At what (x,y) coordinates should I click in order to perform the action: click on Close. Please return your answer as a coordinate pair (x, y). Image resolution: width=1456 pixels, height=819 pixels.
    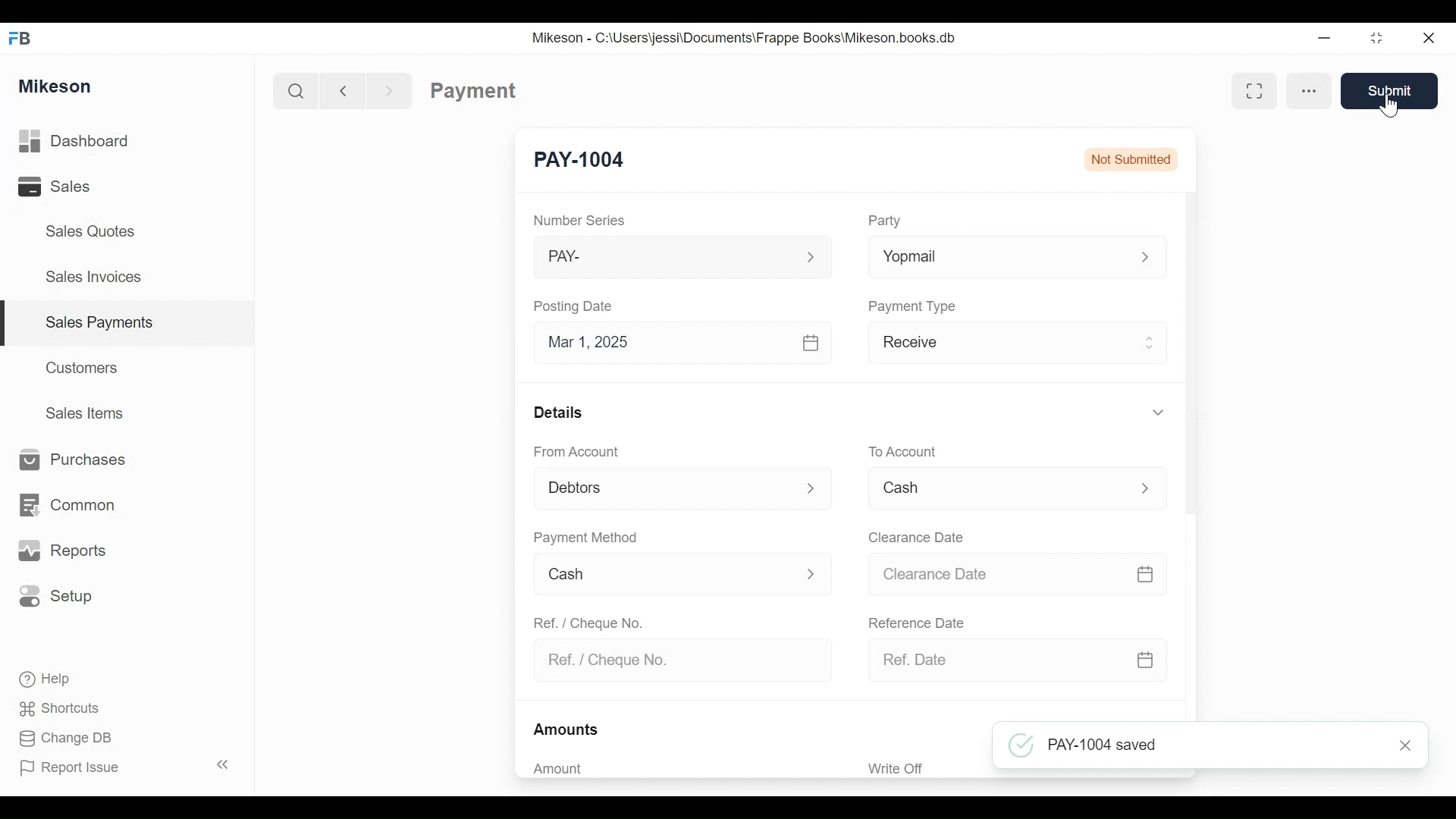
    Looking at the image, I should click on (1426, 36).